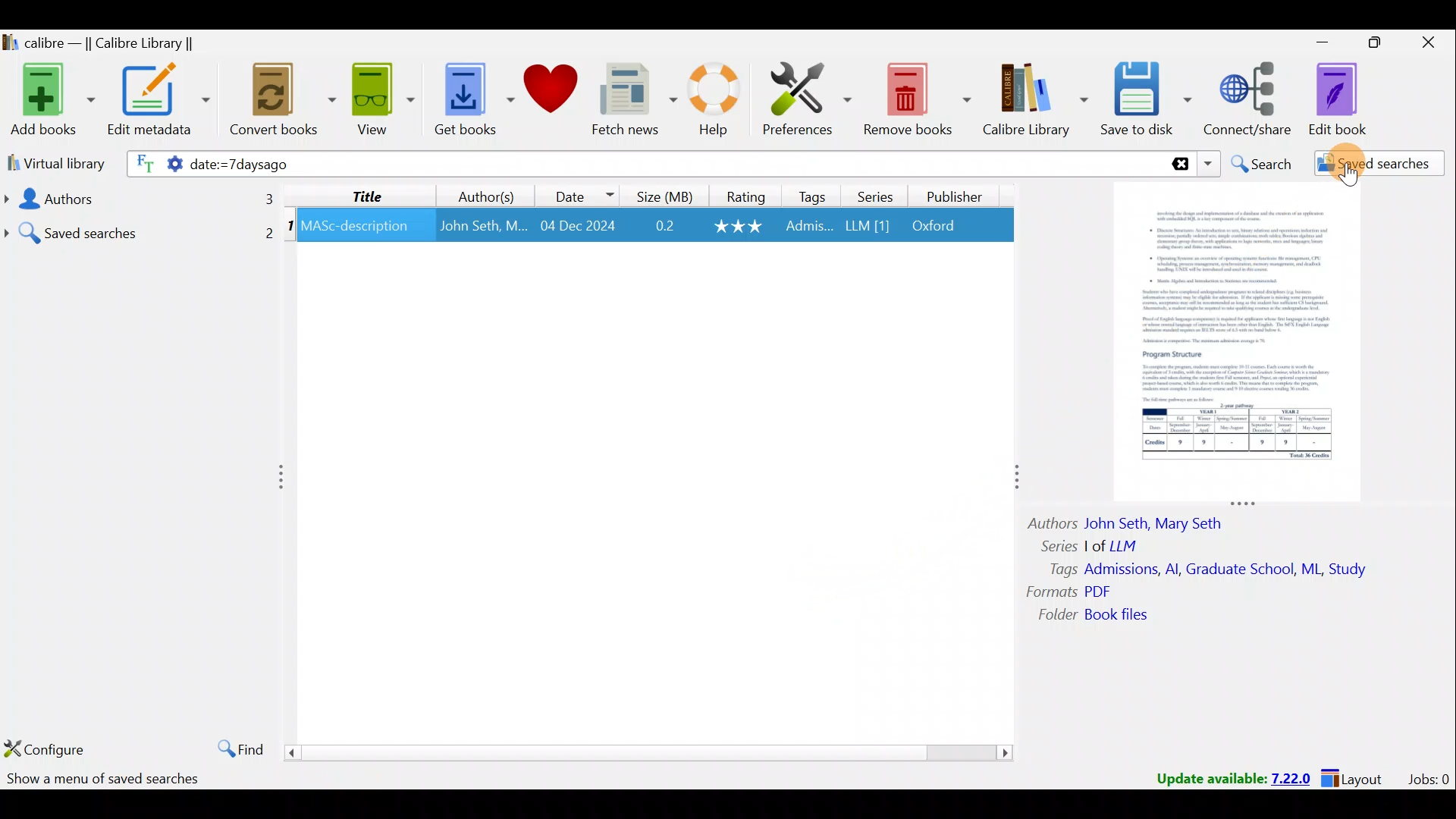  What do you see at coordinates (957, 199) in the screenshot?
I see `Publisher` at bounding box center [957, 199].